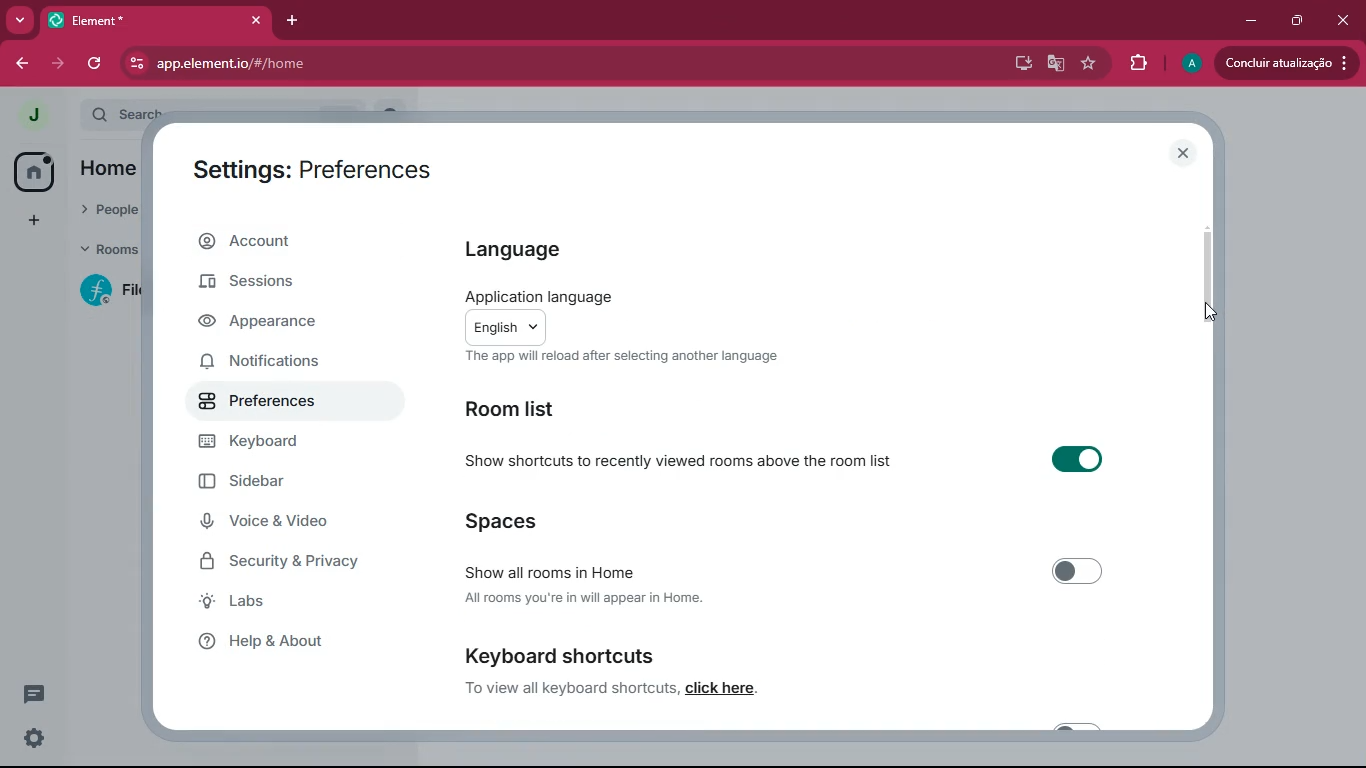 Image resolution: width=1366 pixels, height=768 pixels. I want to click on labs, so click(277, 604).